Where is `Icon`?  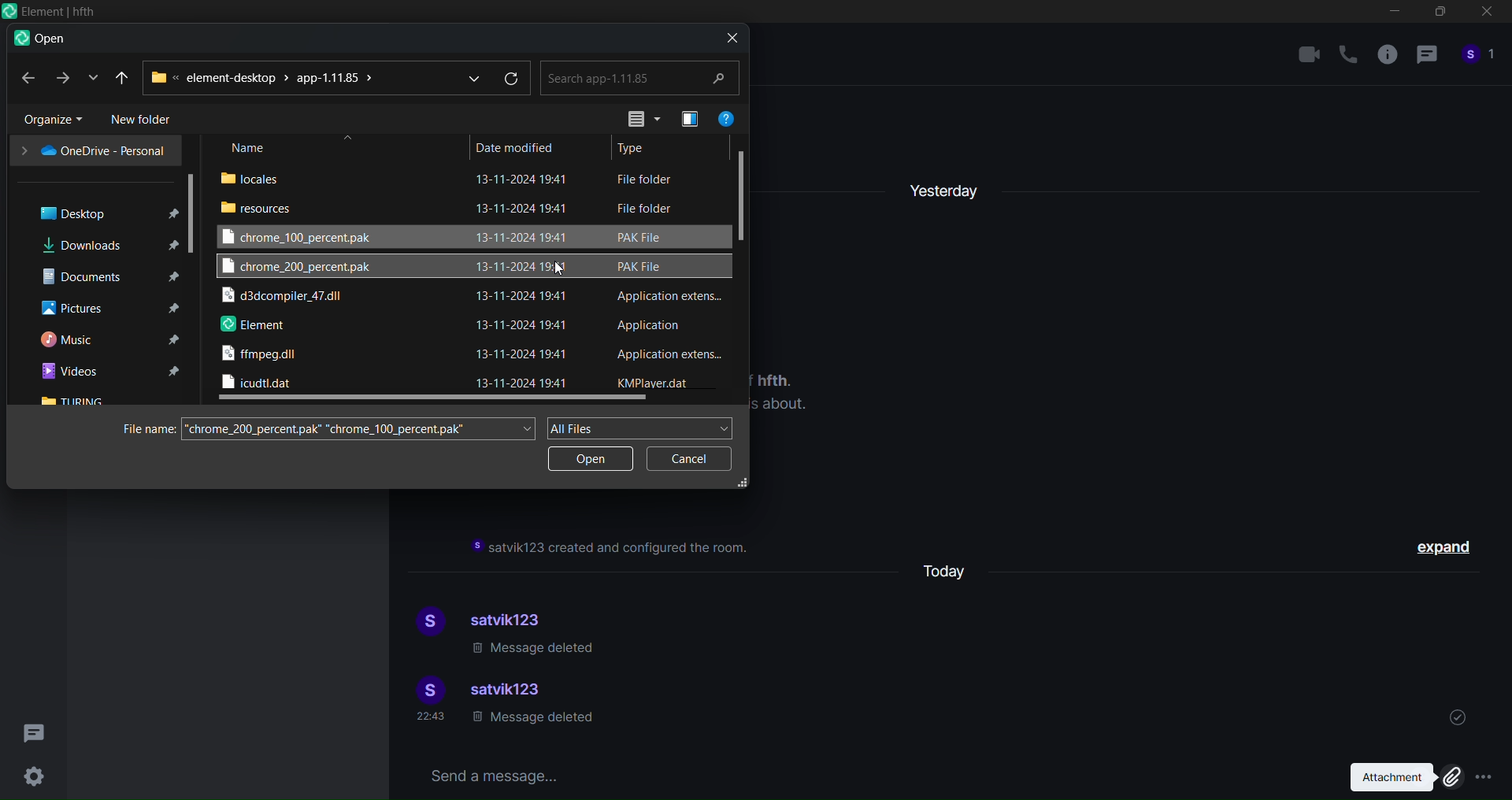 Icon is located at coordinates (49, 12).